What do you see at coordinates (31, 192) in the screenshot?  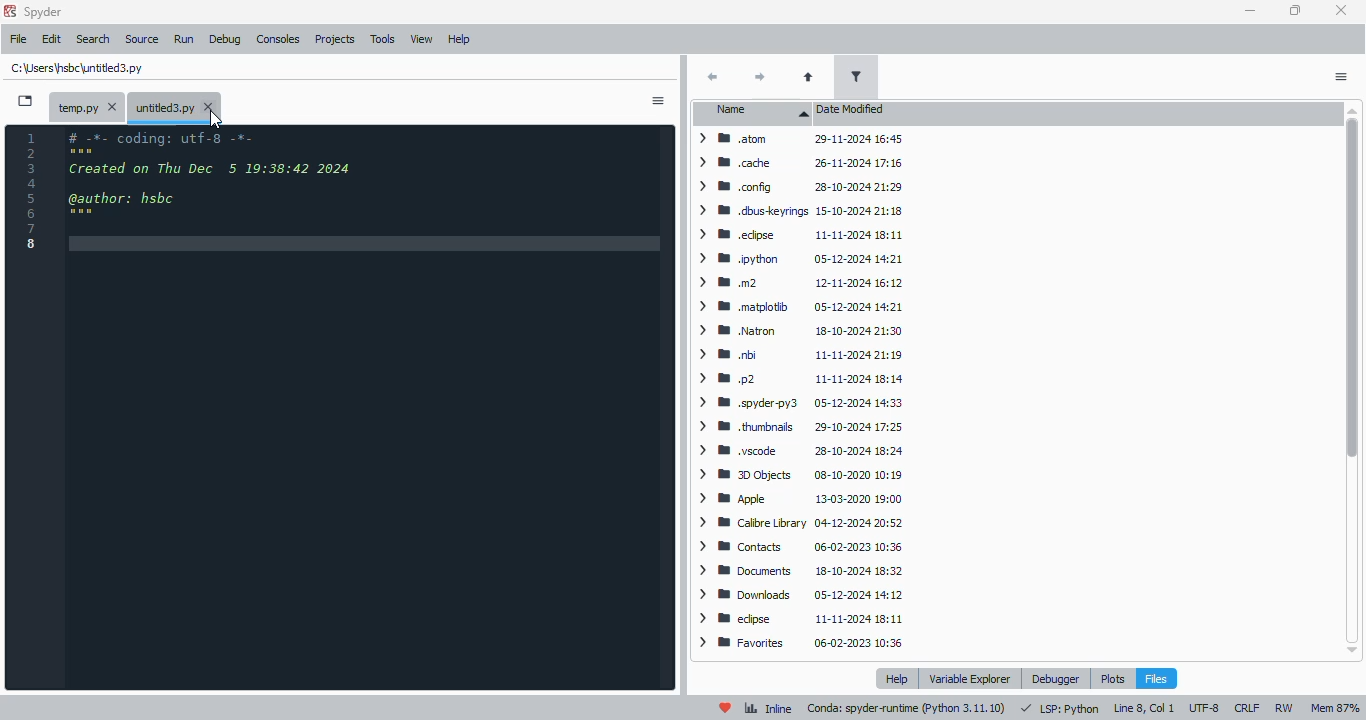 I see `line numbers` at bounding box center [31, 192].